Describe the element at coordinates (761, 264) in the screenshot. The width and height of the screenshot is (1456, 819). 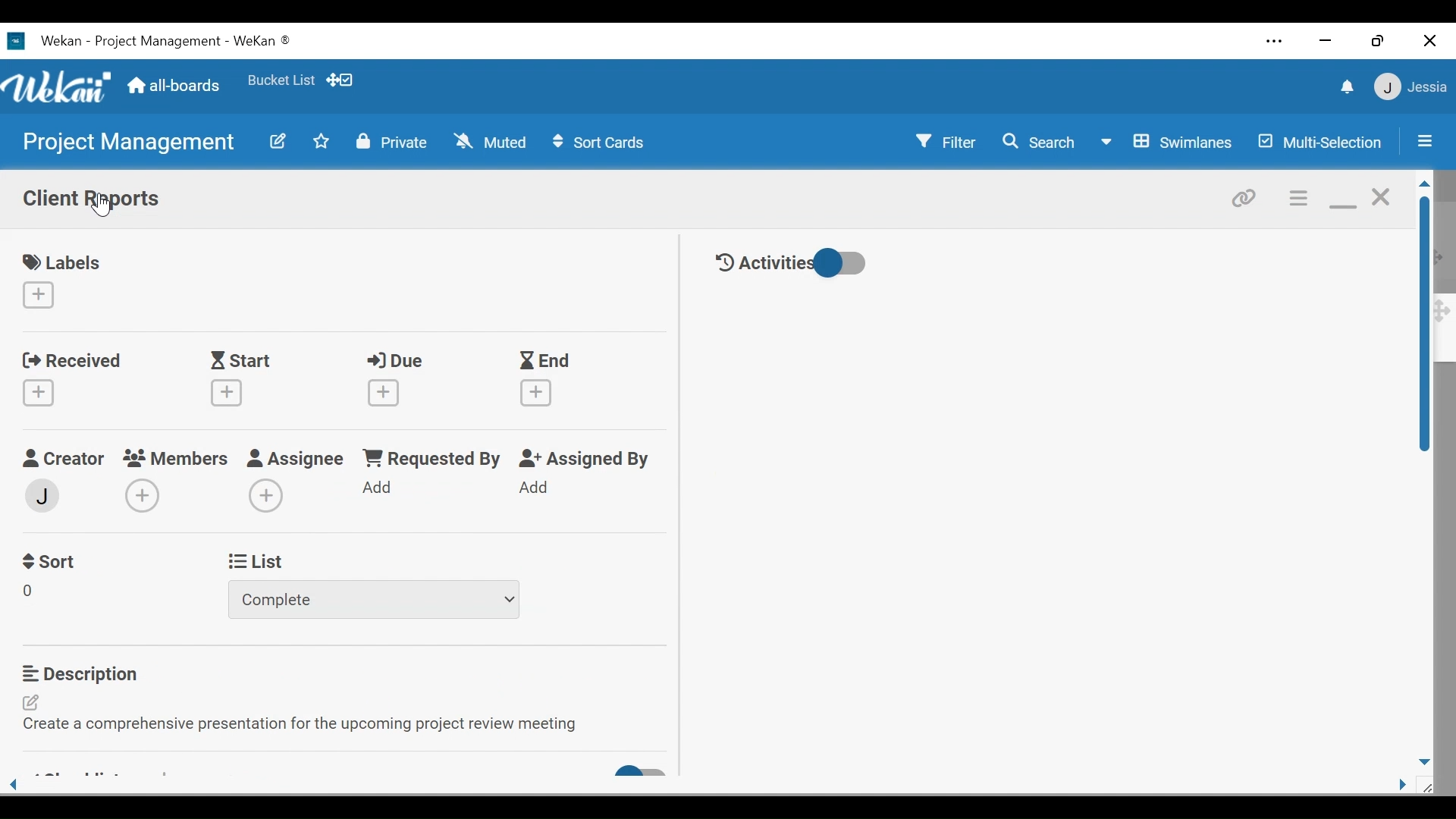
I see `Activities` at that location.